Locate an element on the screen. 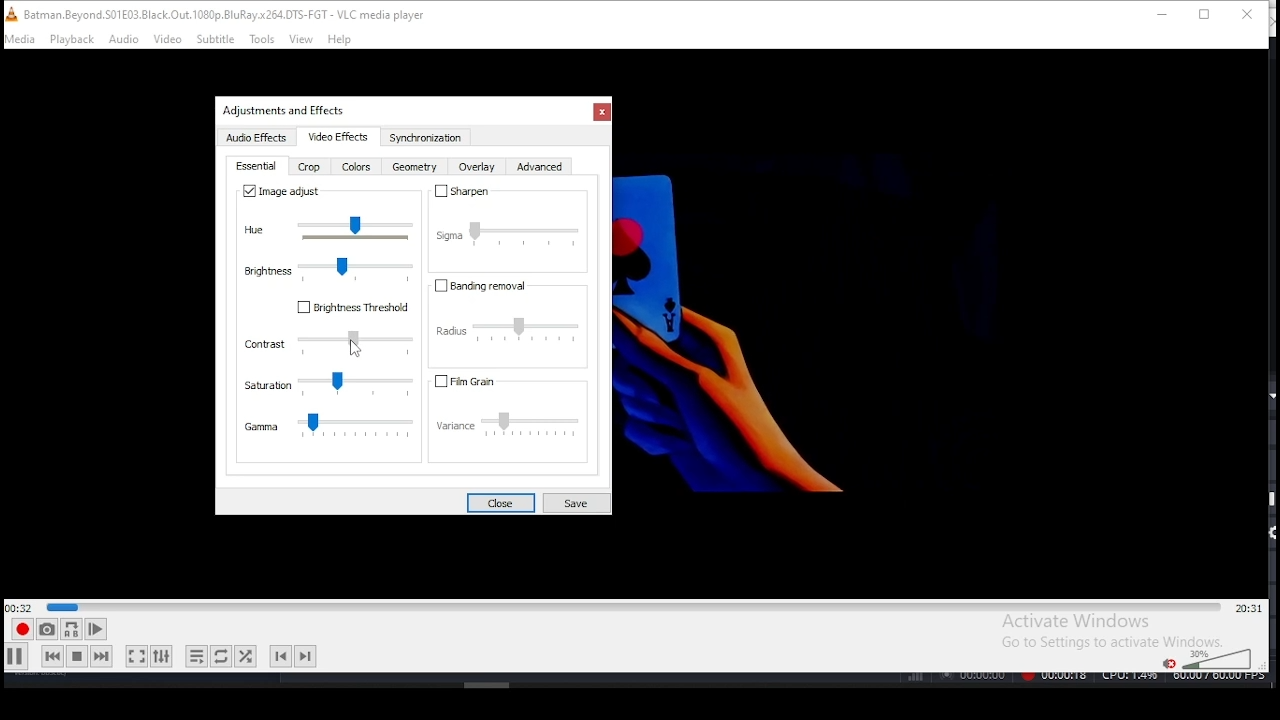 The image size is (1280, 720). icon and filename is located at coordinates (222, 13).